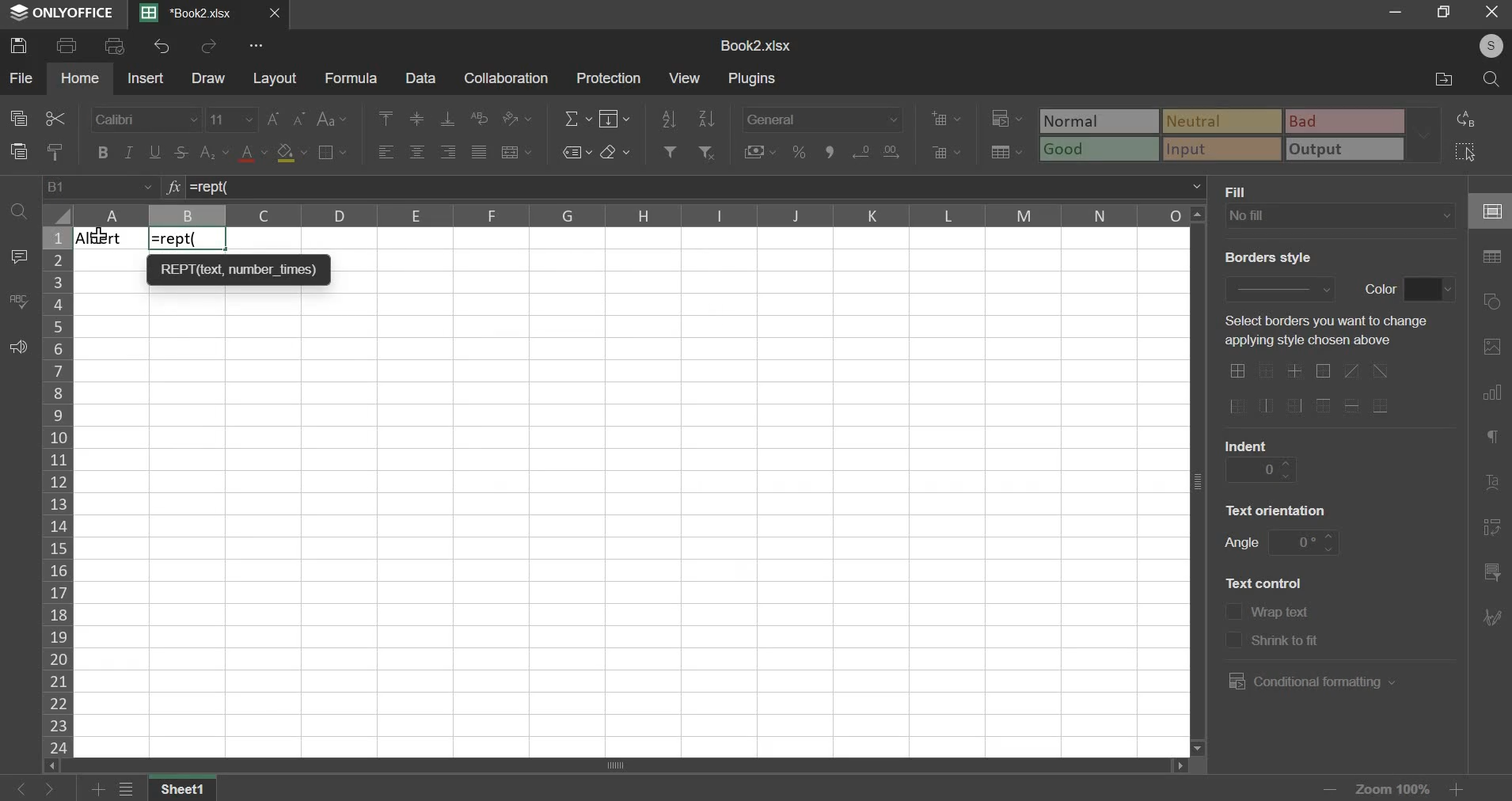 The height and width of the screenshot is (801, 1512). I want to click on image settings, so click(1495, 344).